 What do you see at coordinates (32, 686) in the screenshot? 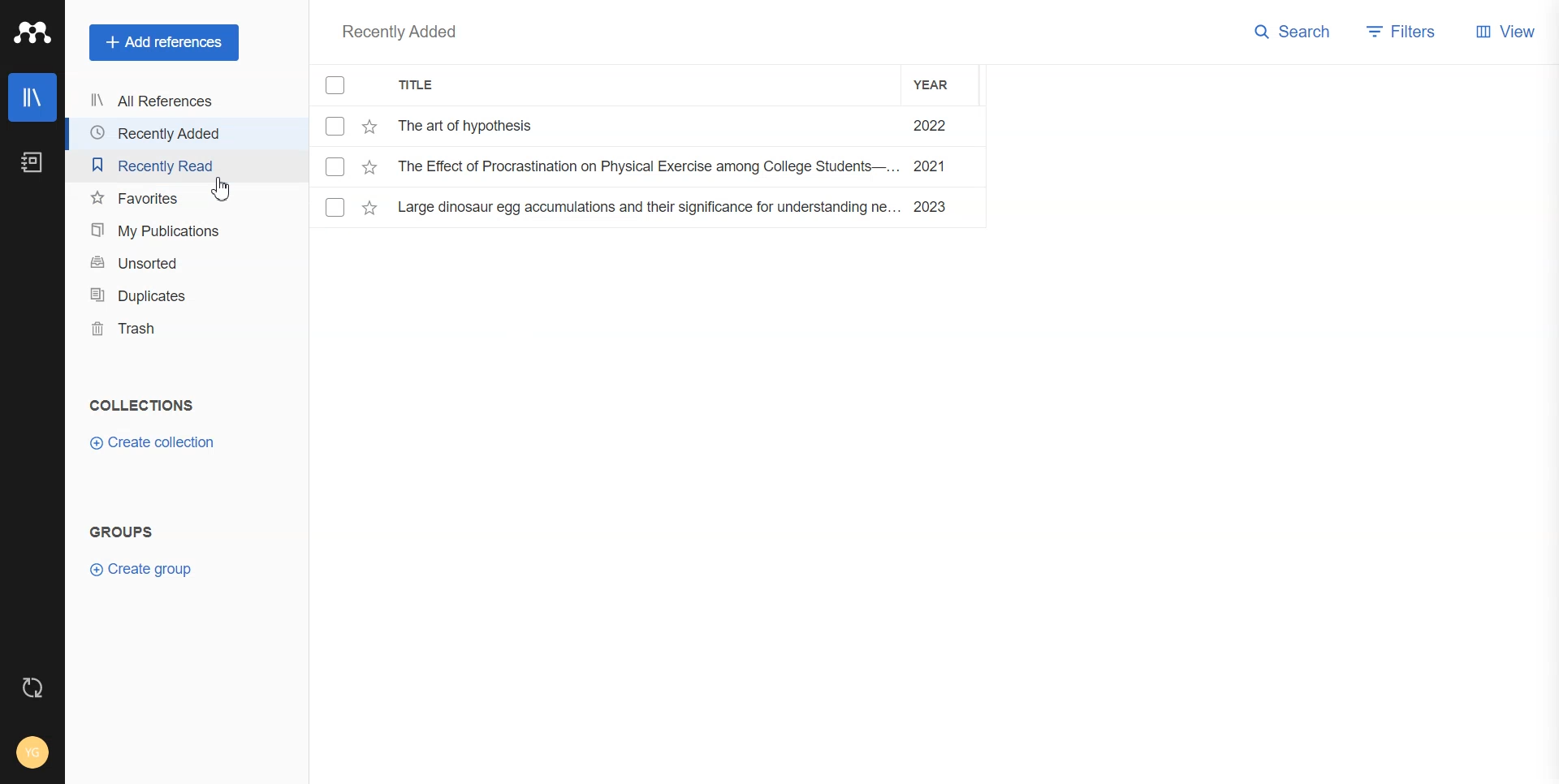
I see `Auto sync` at bounding box center [32, 686].